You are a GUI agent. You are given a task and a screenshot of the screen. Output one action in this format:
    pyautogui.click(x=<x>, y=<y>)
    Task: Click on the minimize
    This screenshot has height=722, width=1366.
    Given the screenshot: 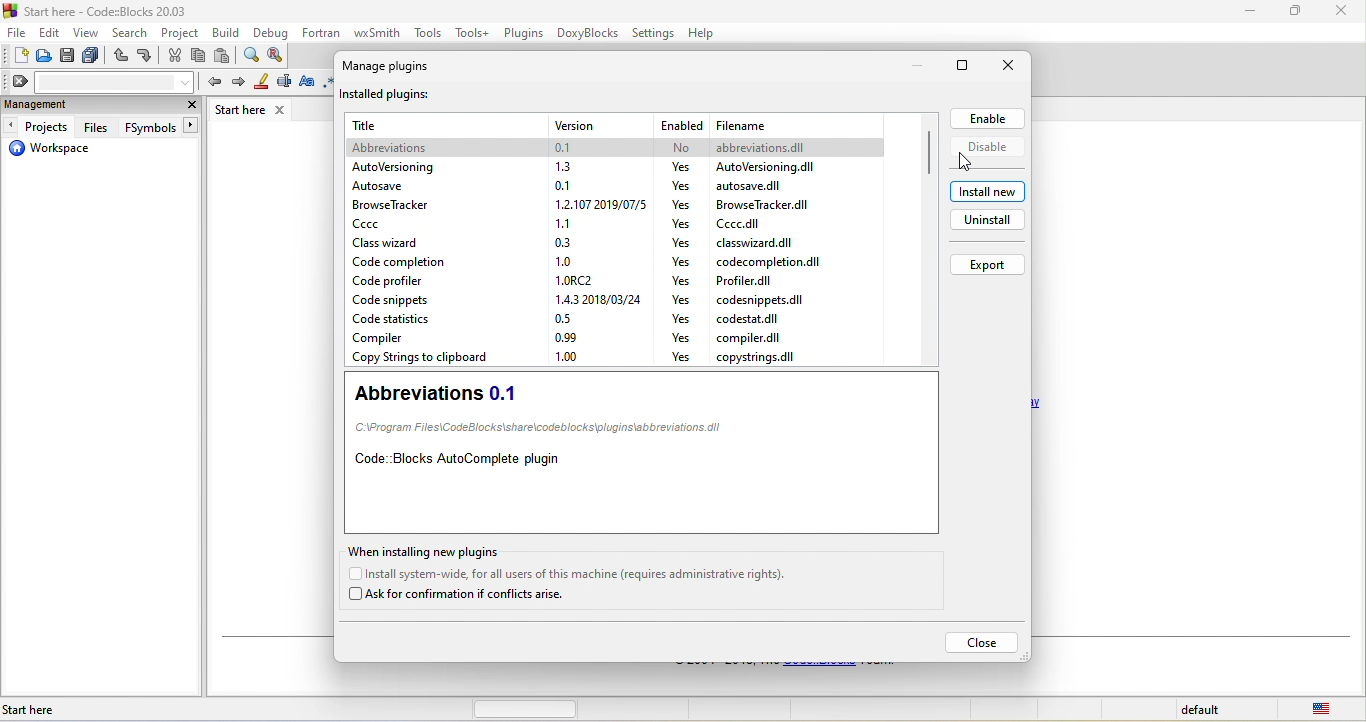 What is the action you would take?
    pyautogui.click(x=1295, y=14)
    